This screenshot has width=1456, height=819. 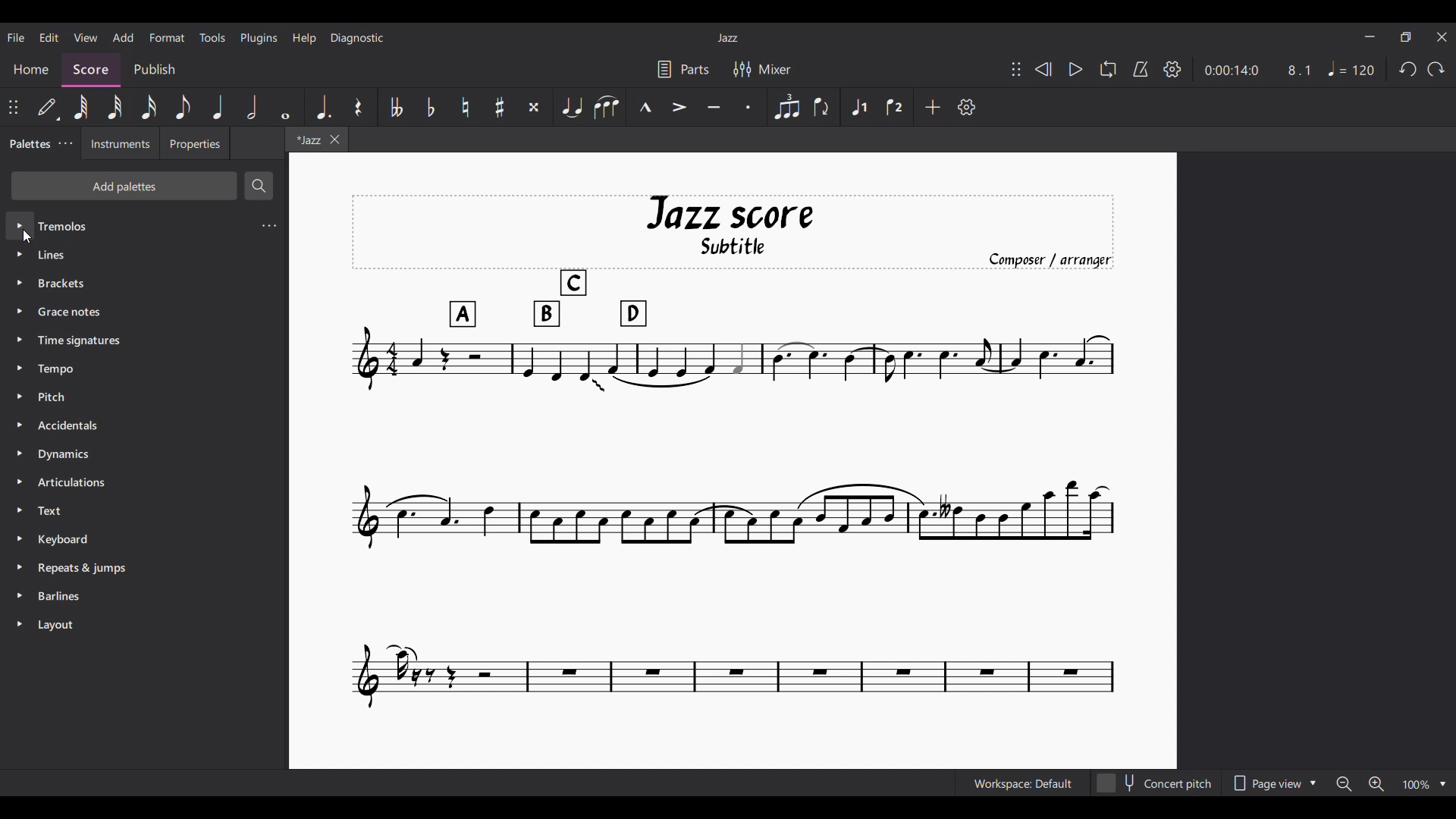 What do you see at coordinates (91, 70) in the screenshot?
I see `Score` at bounding box center [91, 70].